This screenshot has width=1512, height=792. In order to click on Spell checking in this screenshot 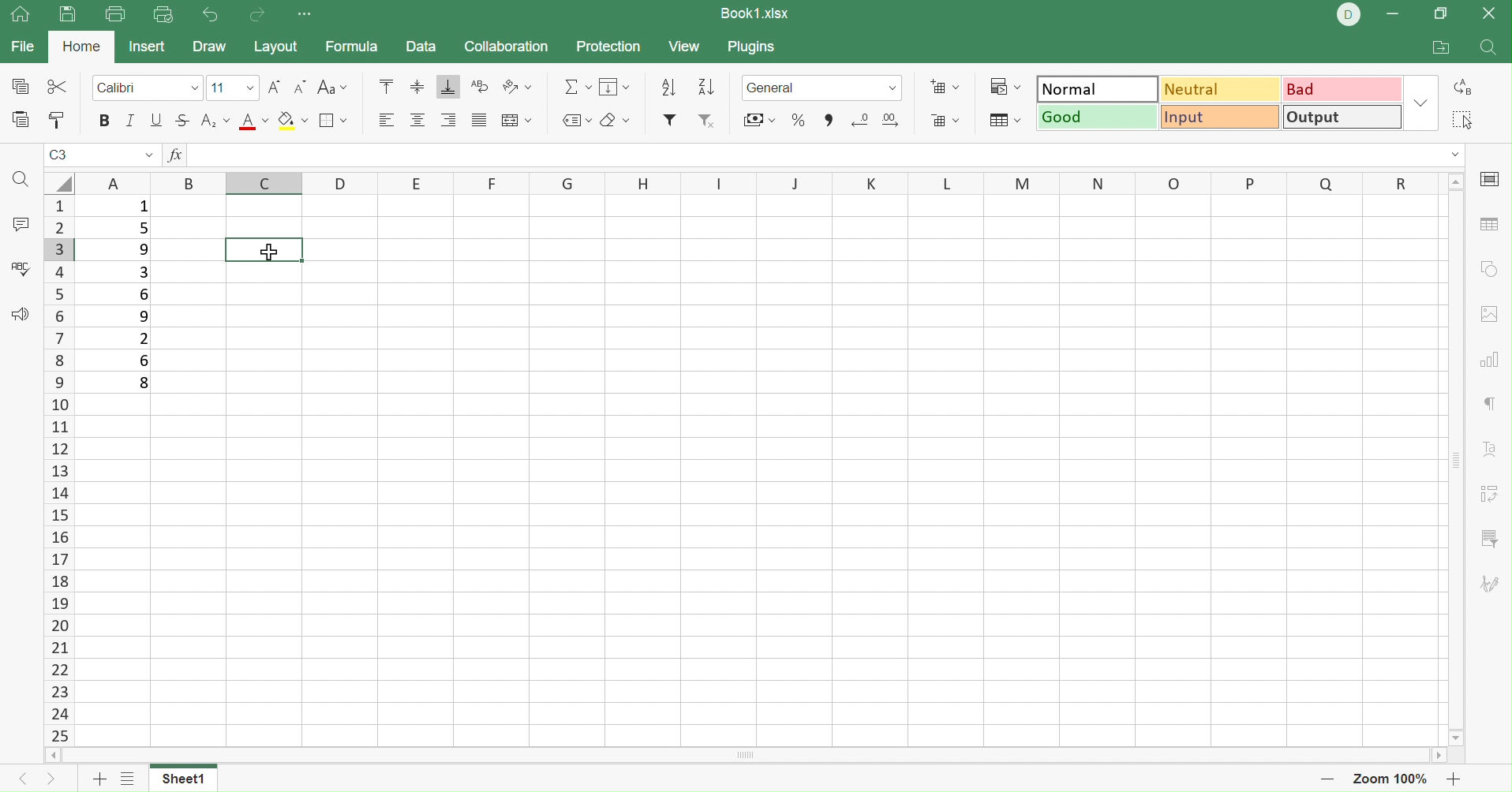, I will do `click(20, 268)`.